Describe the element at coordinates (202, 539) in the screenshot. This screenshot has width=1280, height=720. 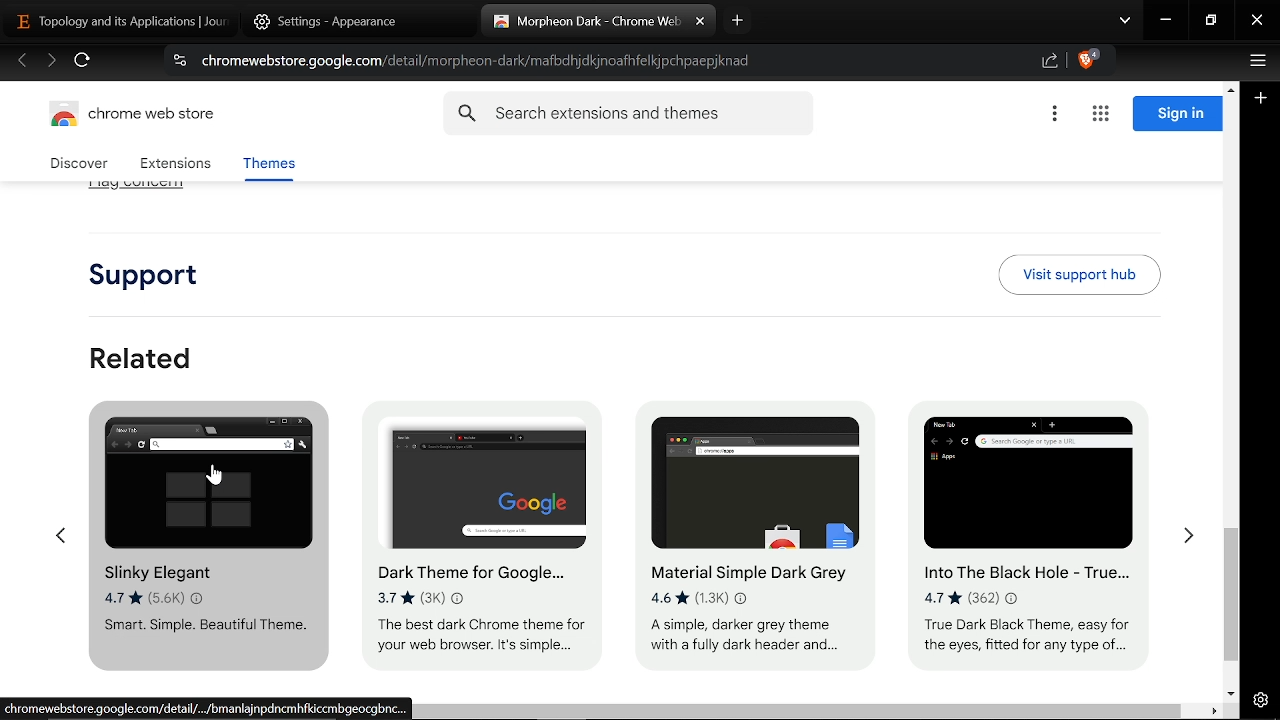
I see `Slinky Elegant theme` at that location.